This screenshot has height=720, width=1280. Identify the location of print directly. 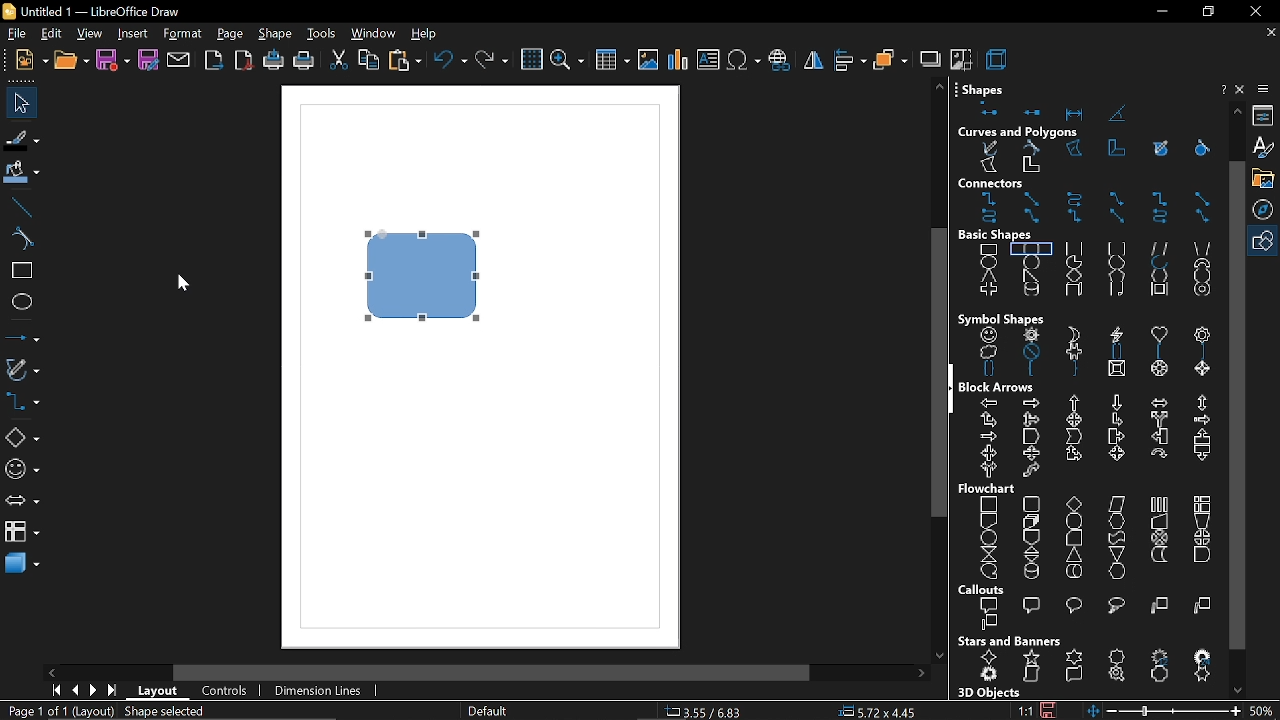
(272, 61).